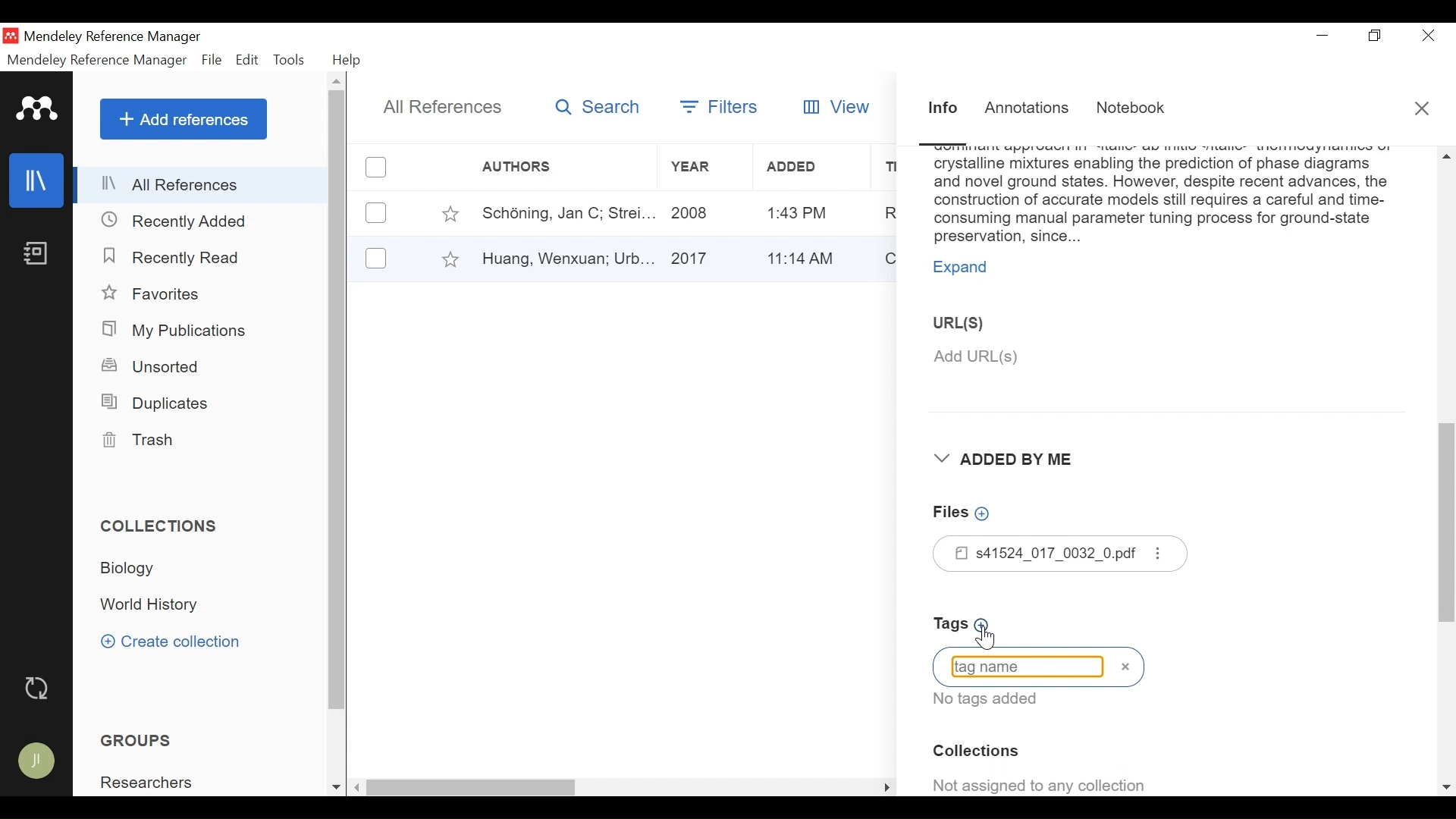 This screenshot has height=819, width=1456. I want to click on Group, so click(152, 783).